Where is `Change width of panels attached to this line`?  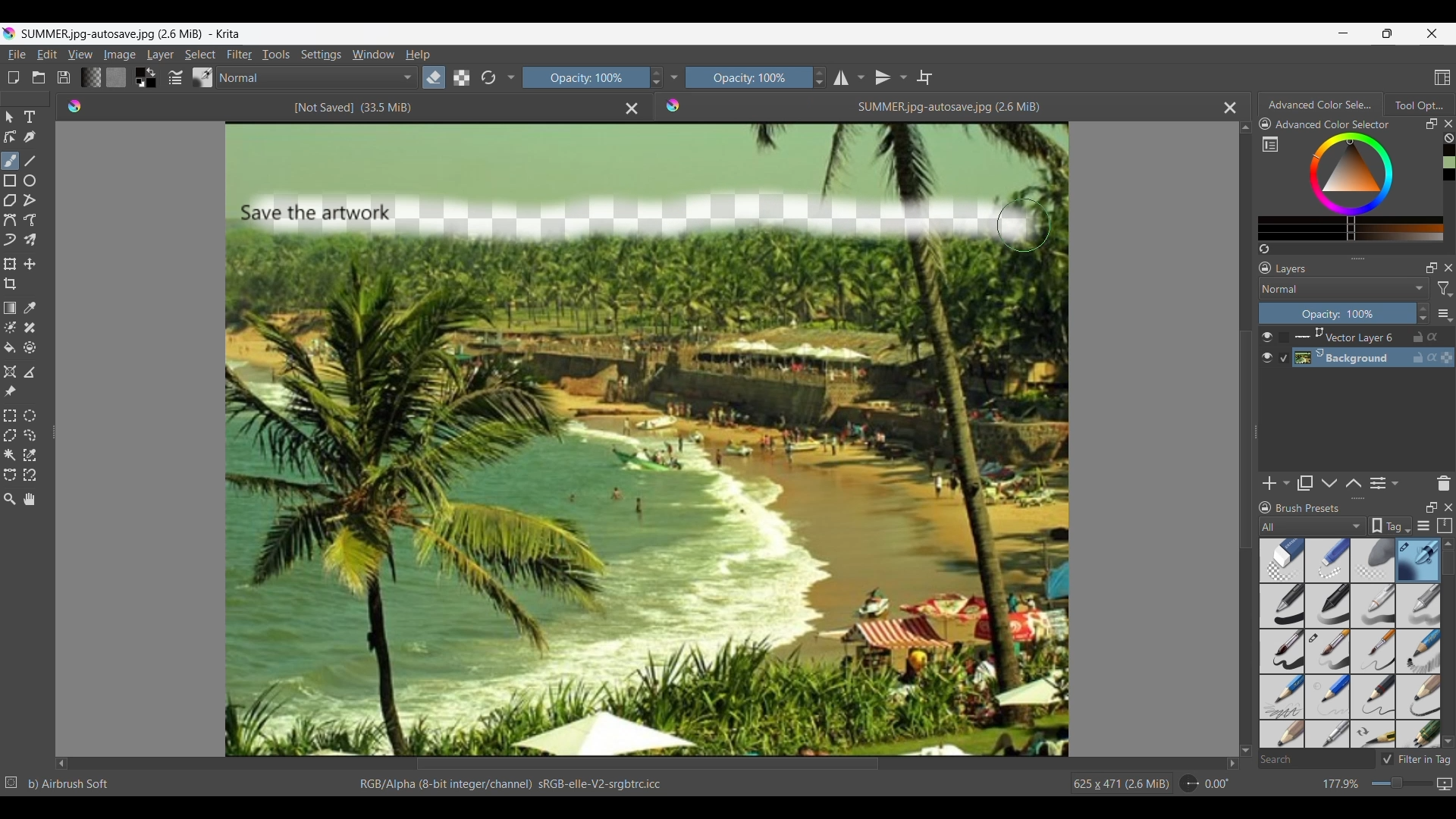 Change width of panels attached to this line is located at coordinates (52, 427).